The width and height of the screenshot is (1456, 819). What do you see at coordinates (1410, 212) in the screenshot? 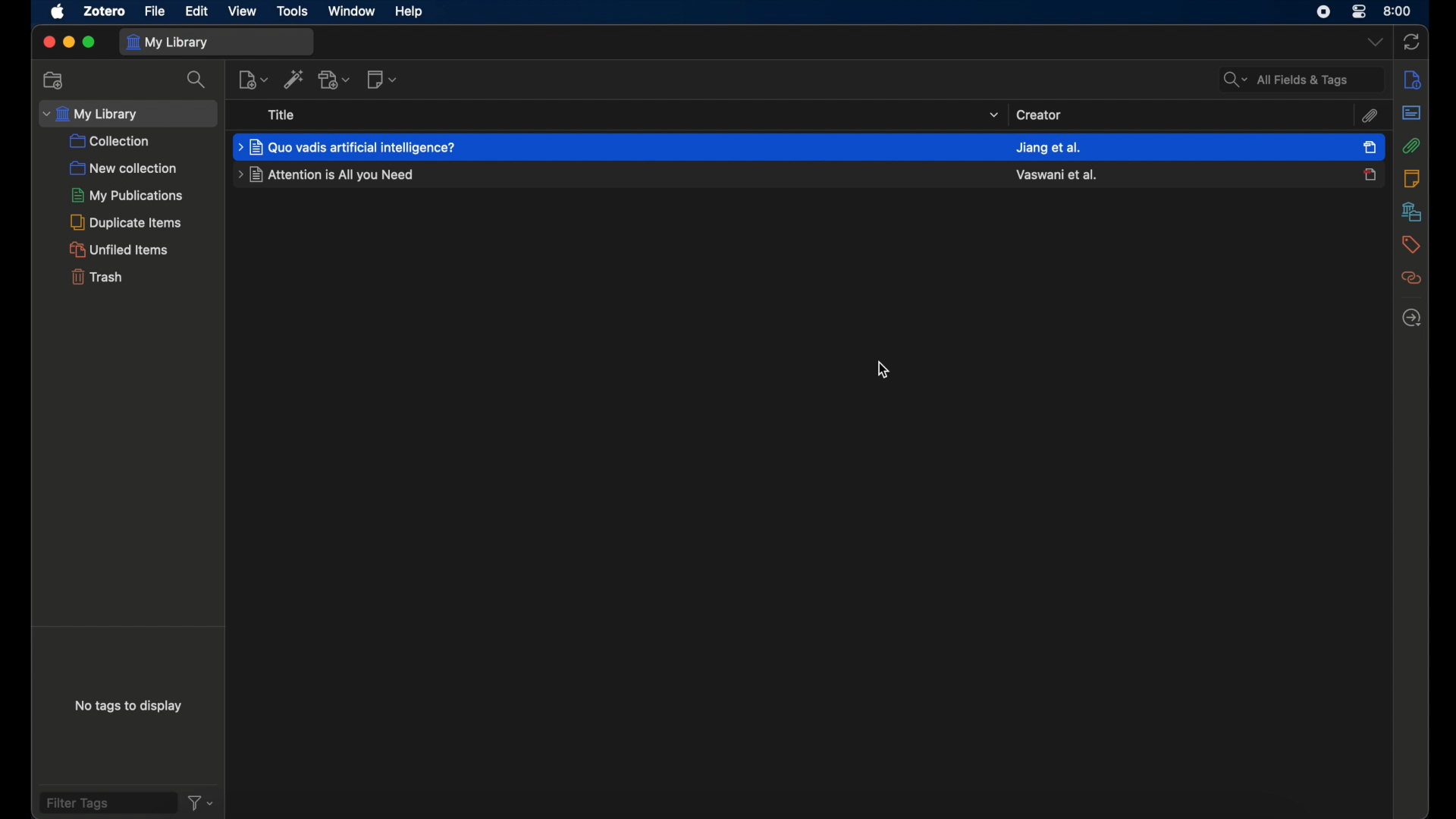
I see `libraries and collections` at bounding box center [1410, 212].